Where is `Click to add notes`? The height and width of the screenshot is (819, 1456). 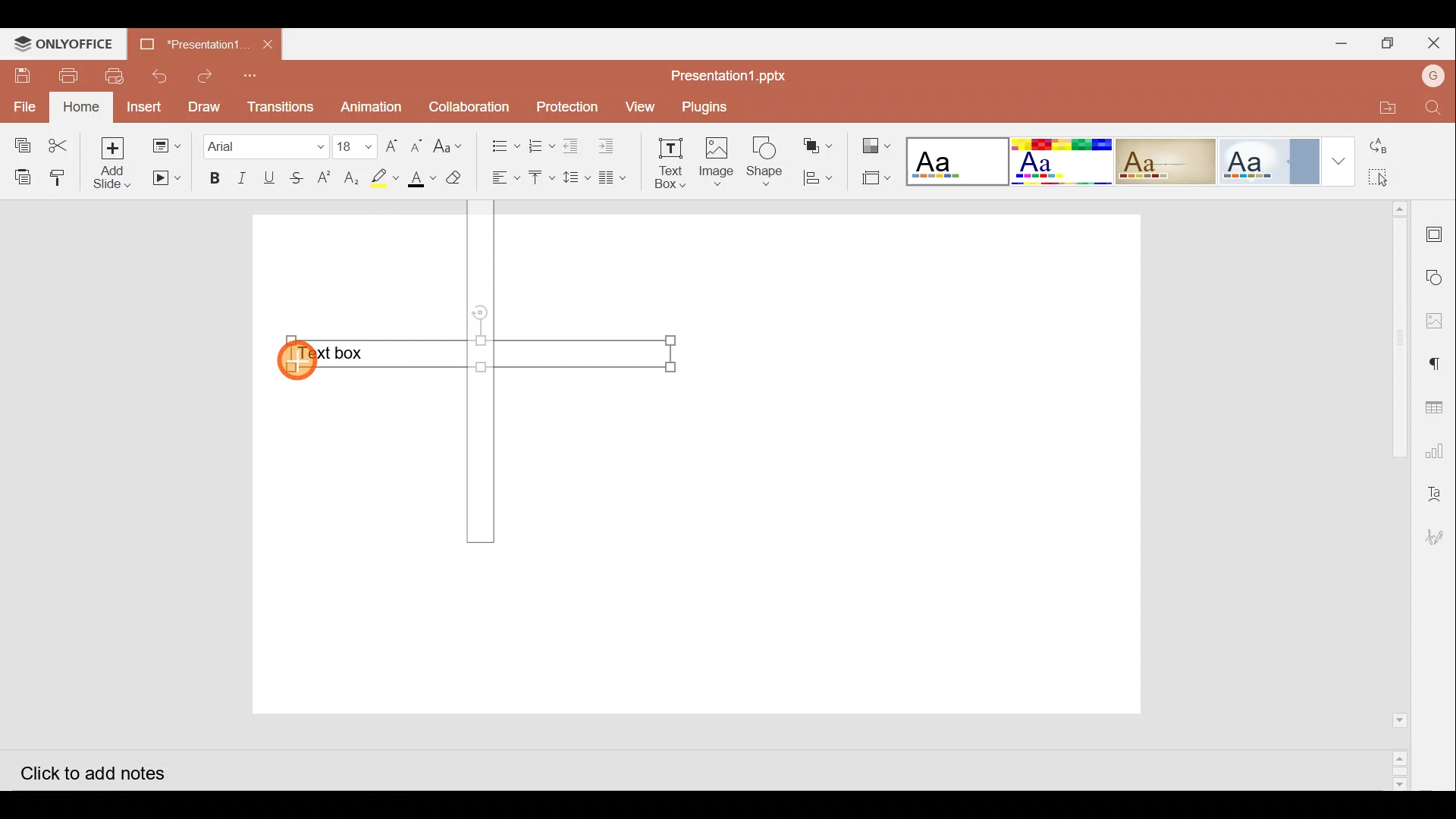 Click to add notes is located at coordinates (105, 770).